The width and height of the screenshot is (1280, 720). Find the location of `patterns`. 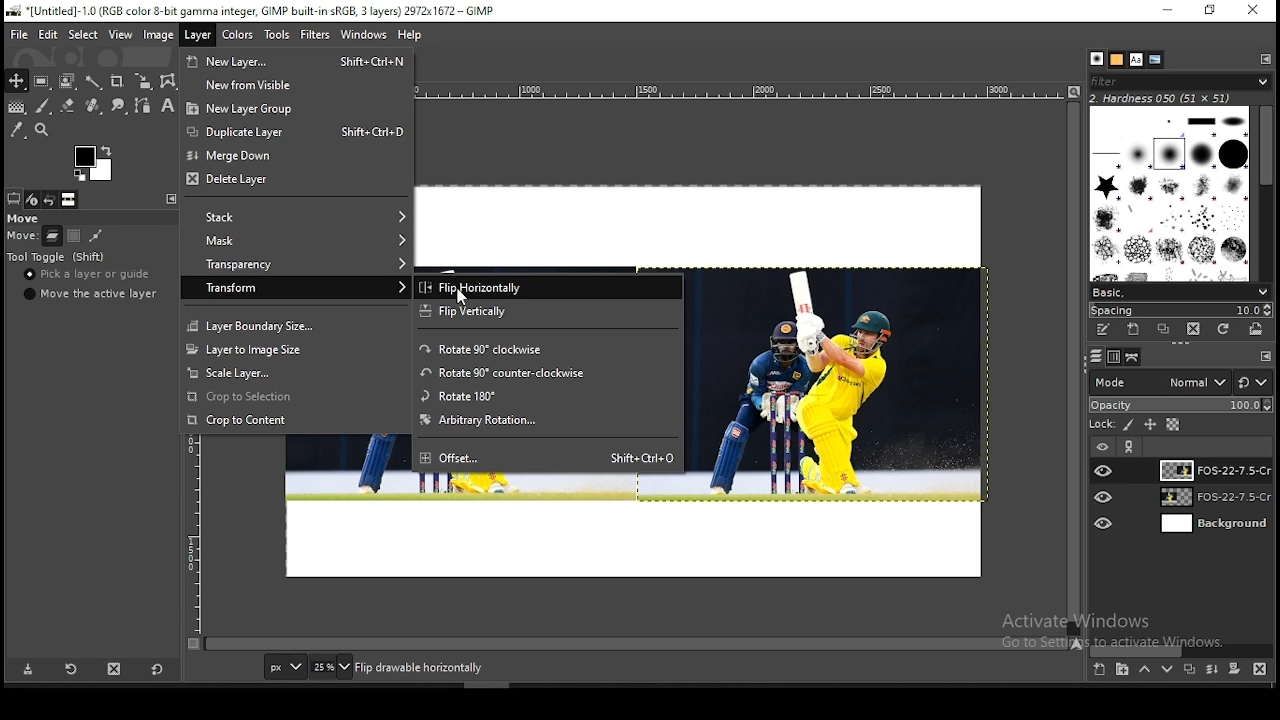

patterns is located at coordinates (1117, 59).